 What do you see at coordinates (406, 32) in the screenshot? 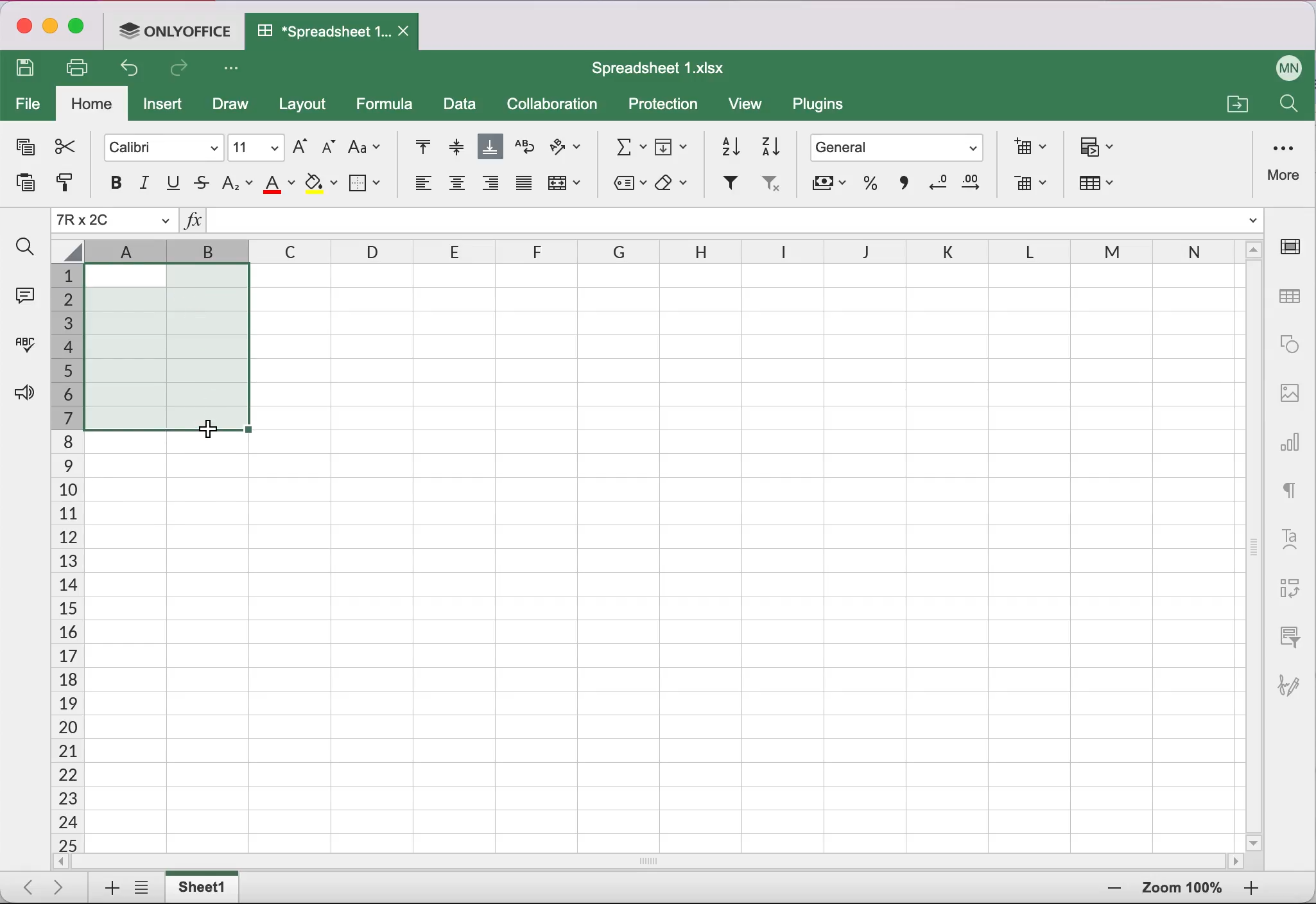
I see `Close` at bounding box center [406, 32].